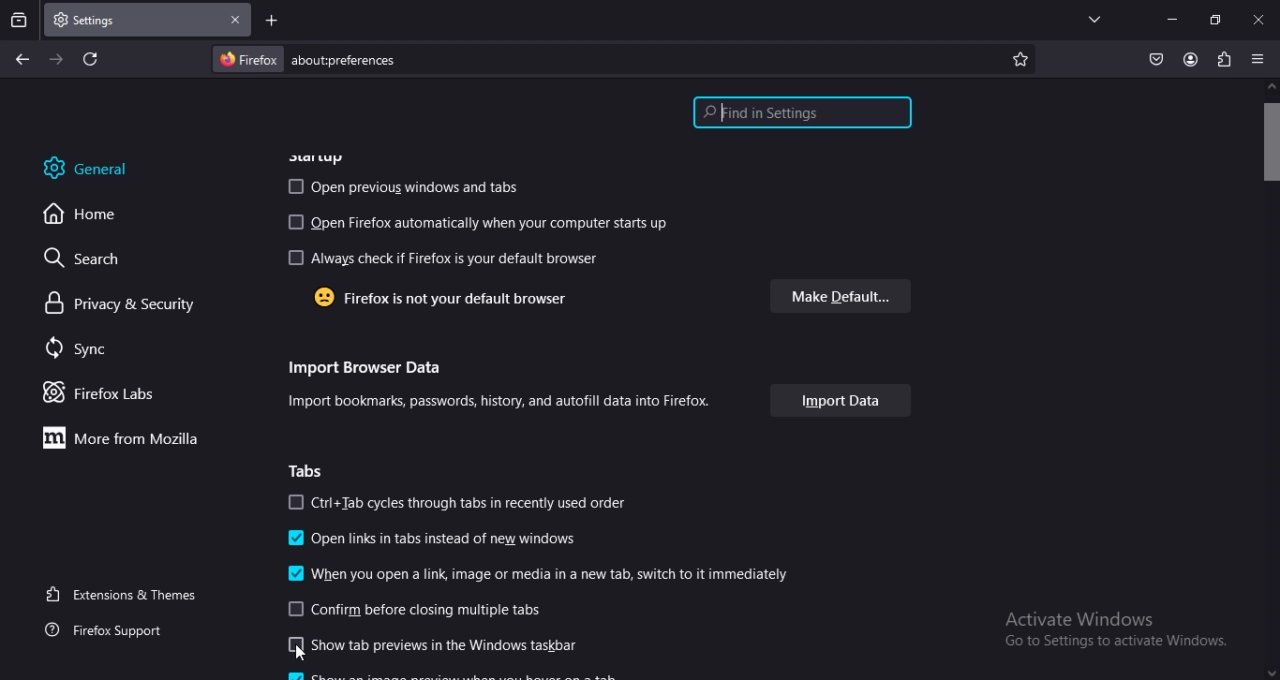  I want to click on firefox support, so click(118, 629).